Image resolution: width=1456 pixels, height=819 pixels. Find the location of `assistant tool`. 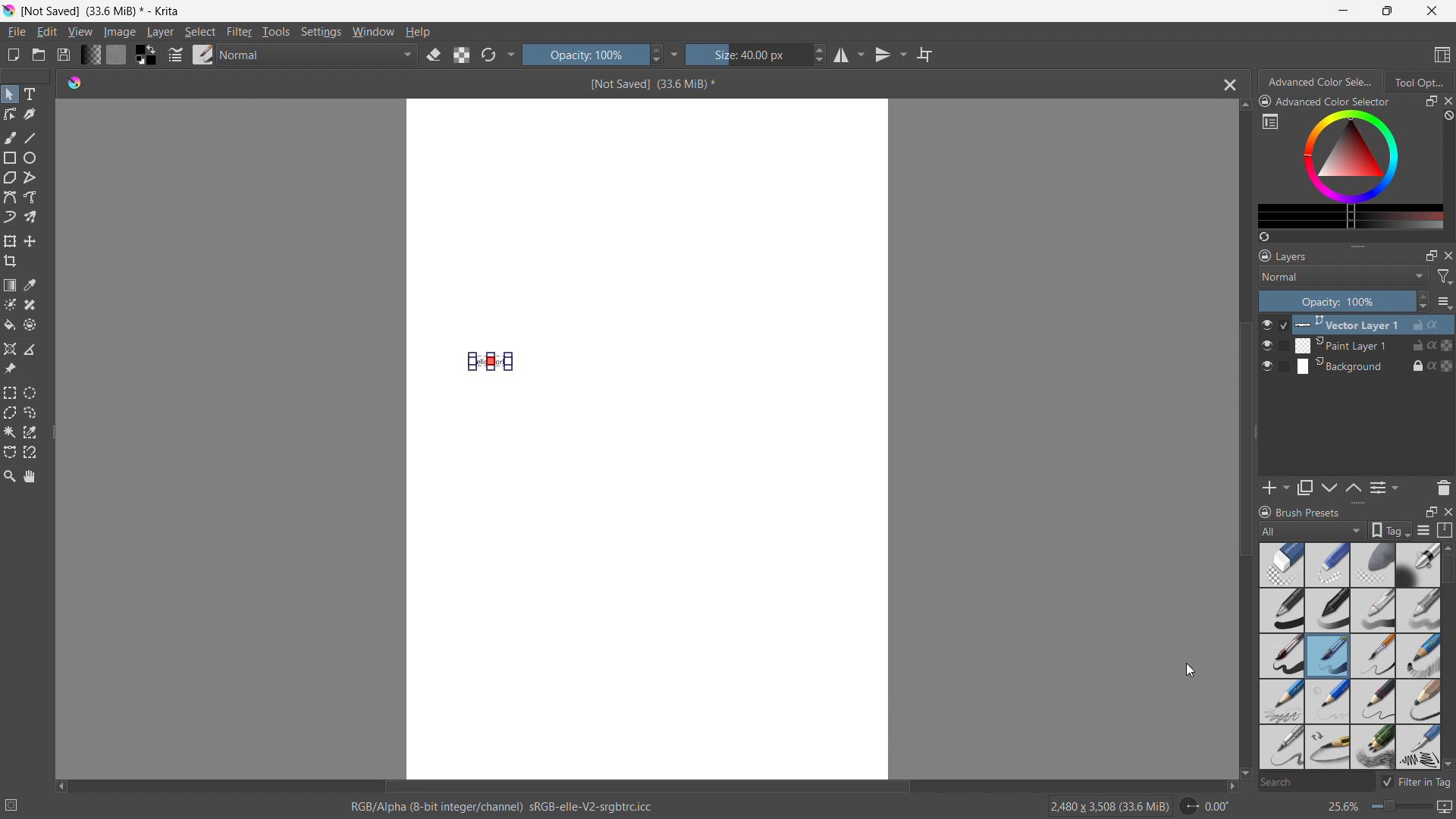

assistant tool is located at coordinates (10, 349).